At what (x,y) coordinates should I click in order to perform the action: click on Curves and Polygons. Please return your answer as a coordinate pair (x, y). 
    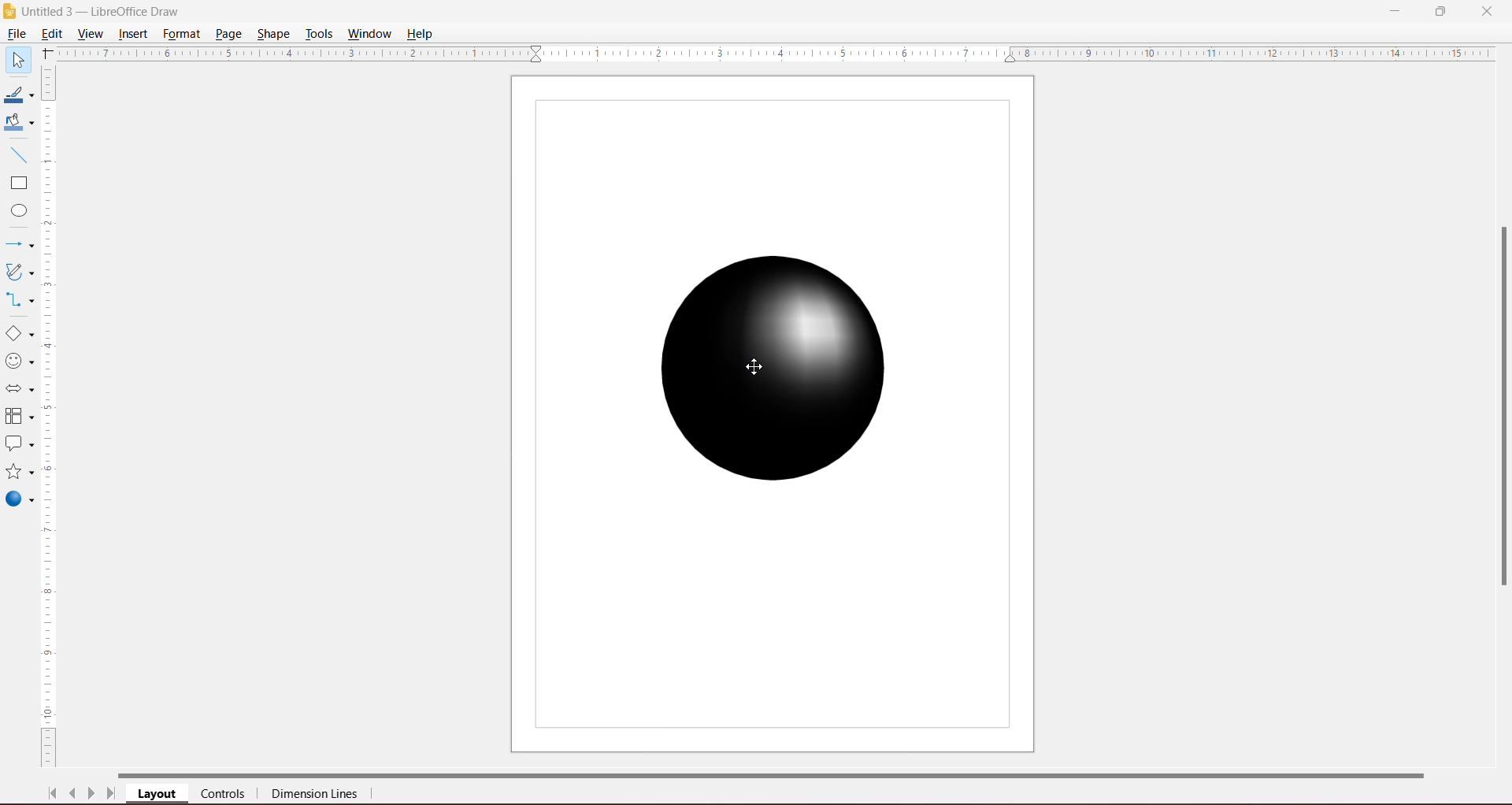
    Looking at the image, I should click on (18, 271).